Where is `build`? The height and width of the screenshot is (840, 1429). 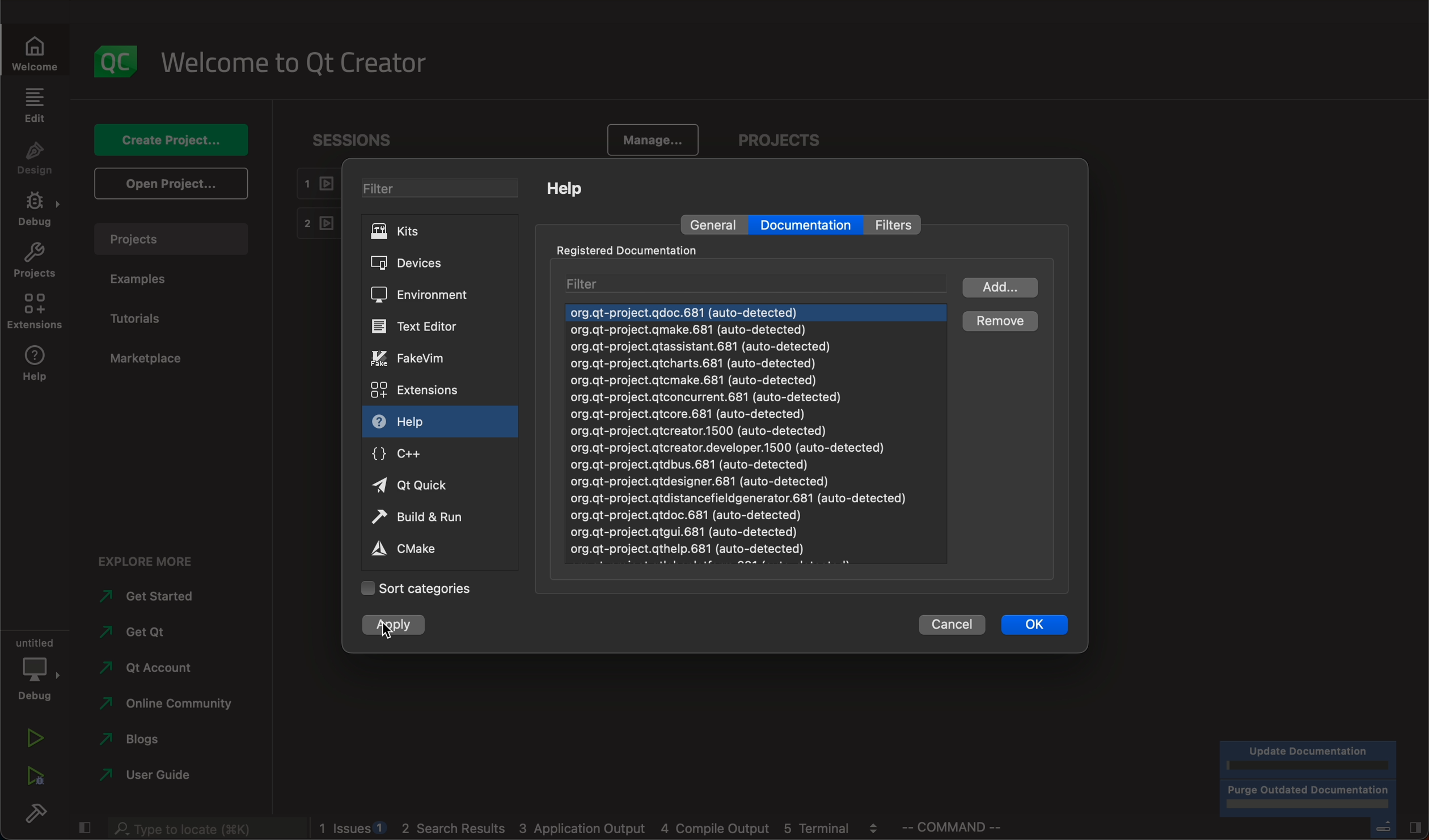 build is located at coordinates (35, 813).